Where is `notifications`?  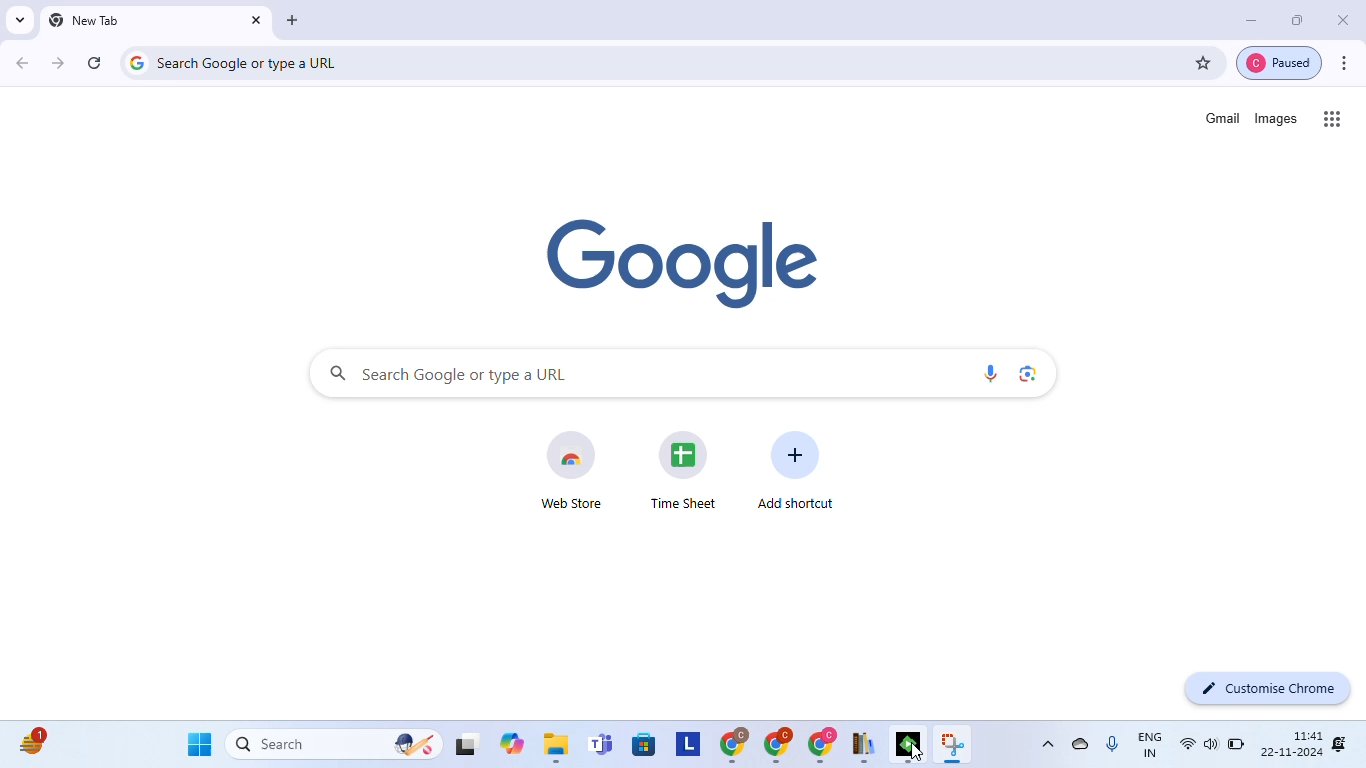
notifications is located at coordinates (1340, 743).